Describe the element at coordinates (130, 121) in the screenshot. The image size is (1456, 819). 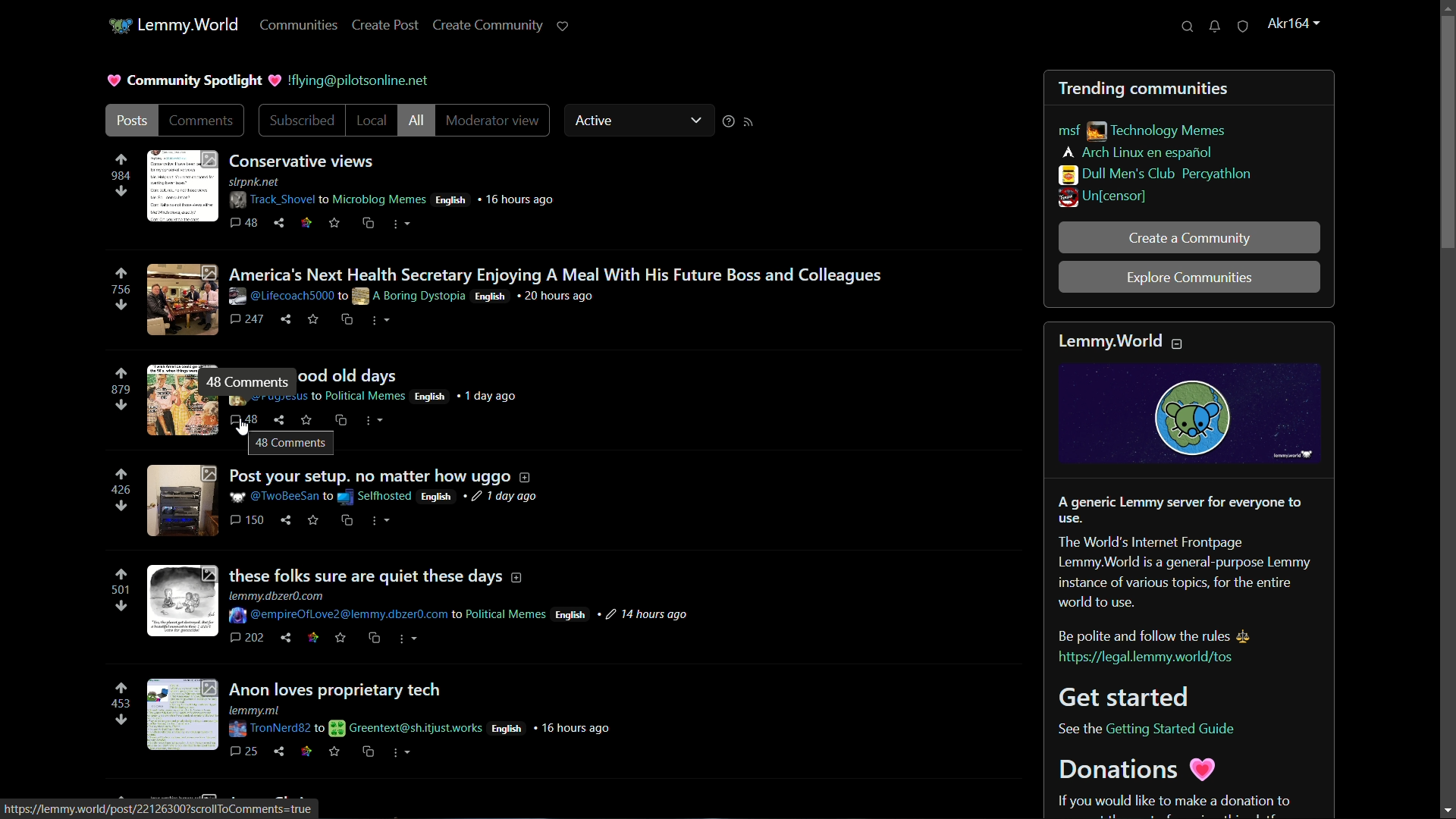
I see `posts` at that location.